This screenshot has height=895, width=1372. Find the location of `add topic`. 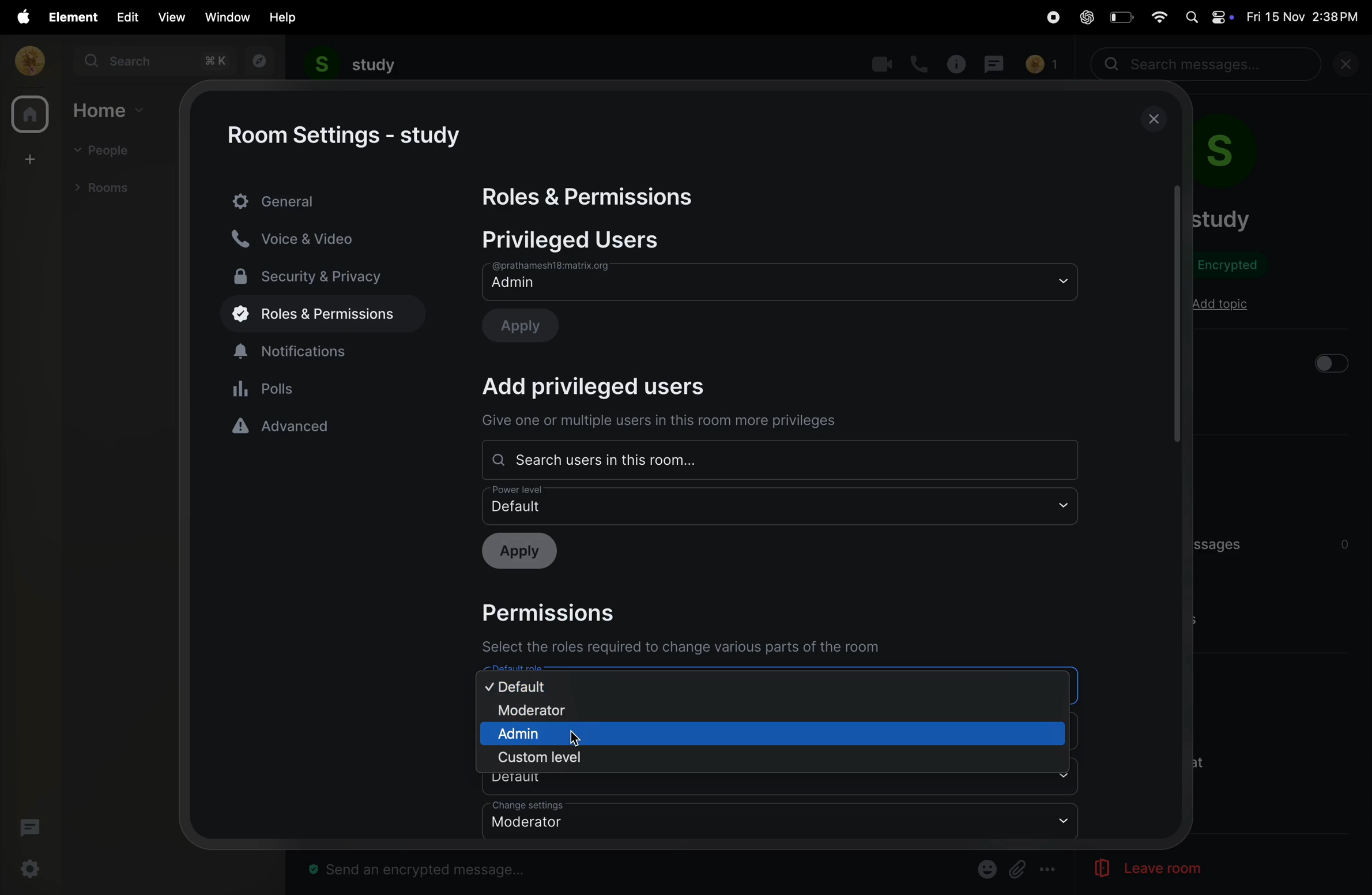

add topic is located at coordinates (1220, 305).